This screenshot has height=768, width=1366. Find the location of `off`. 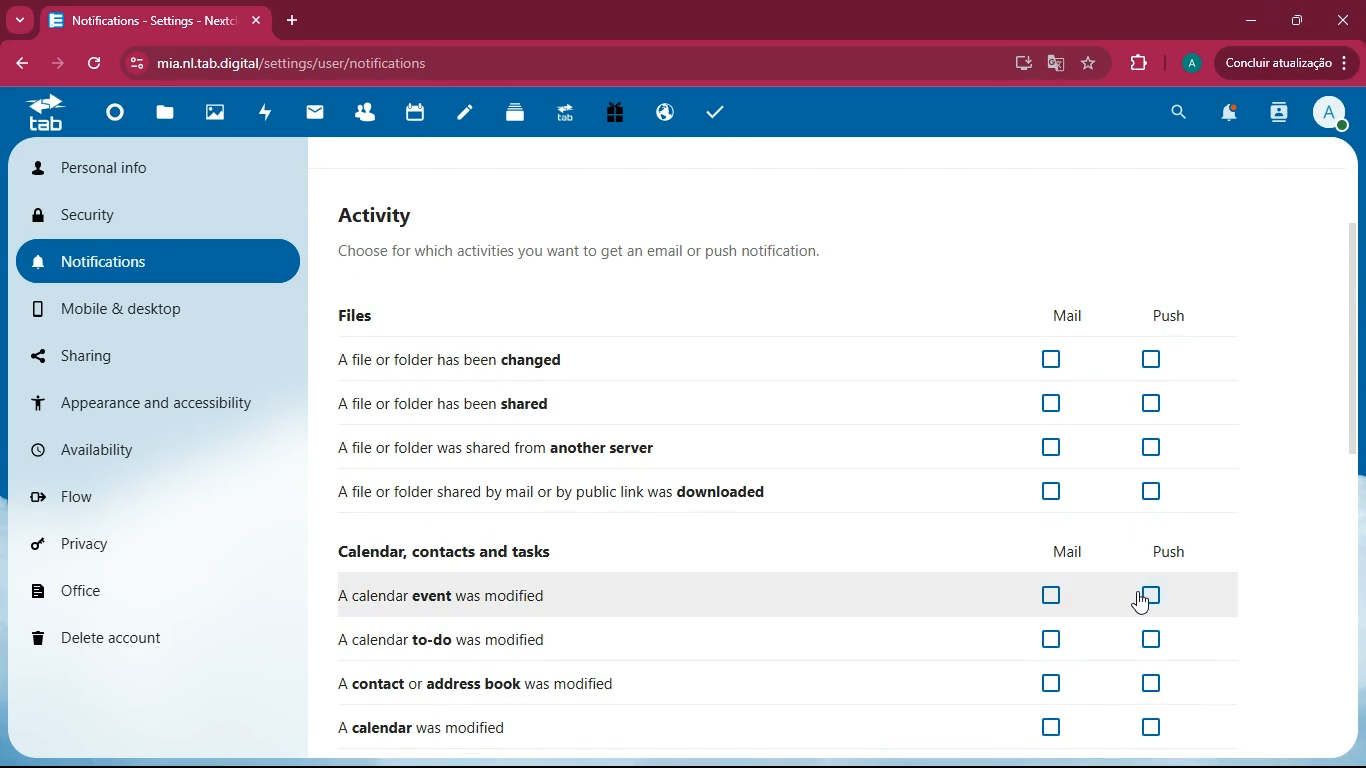

off is located at coordinates (1049, 639).